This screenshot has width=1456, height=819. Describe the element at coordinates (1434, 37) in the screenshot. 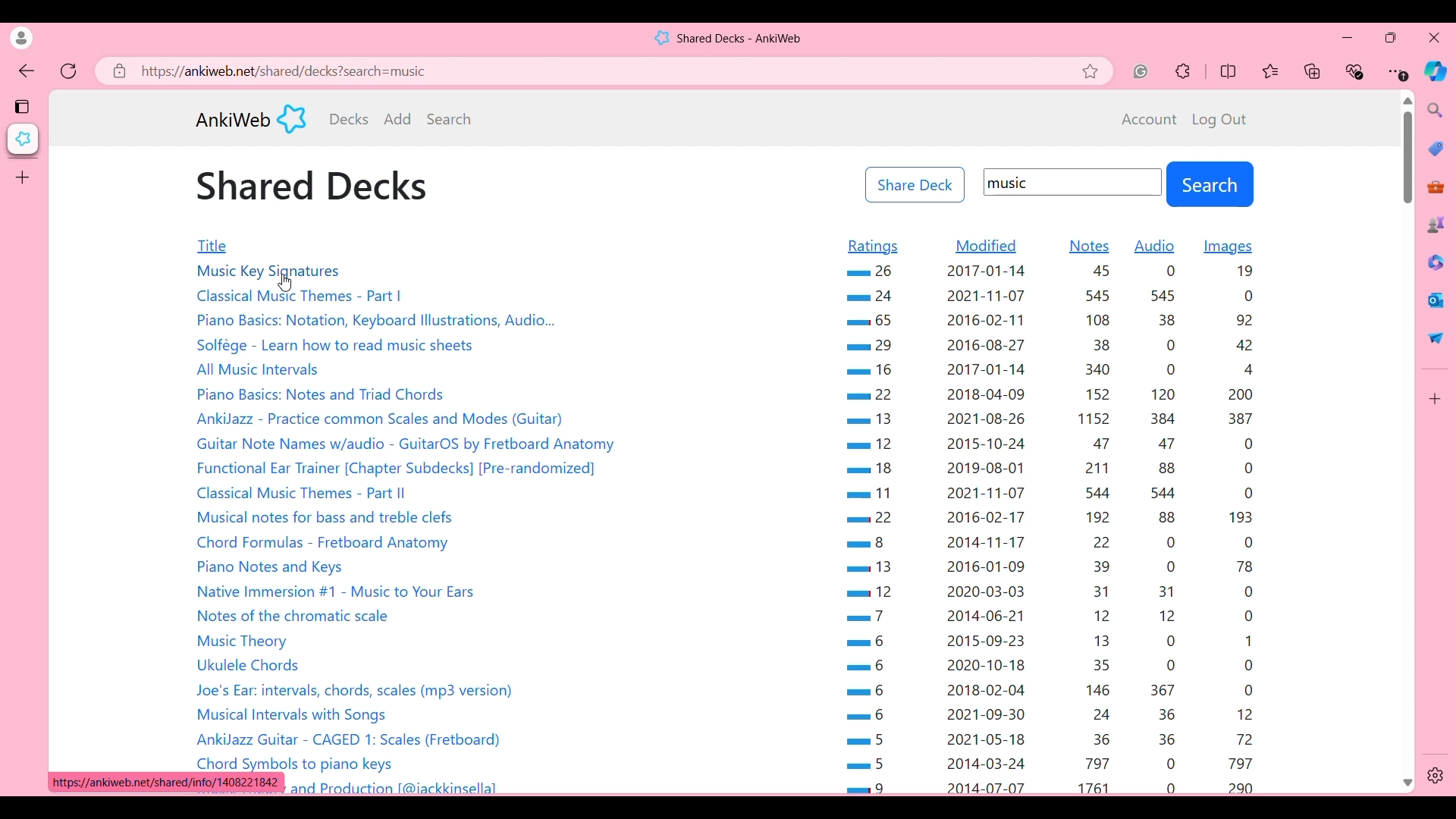

I see `Close browser` at that location.